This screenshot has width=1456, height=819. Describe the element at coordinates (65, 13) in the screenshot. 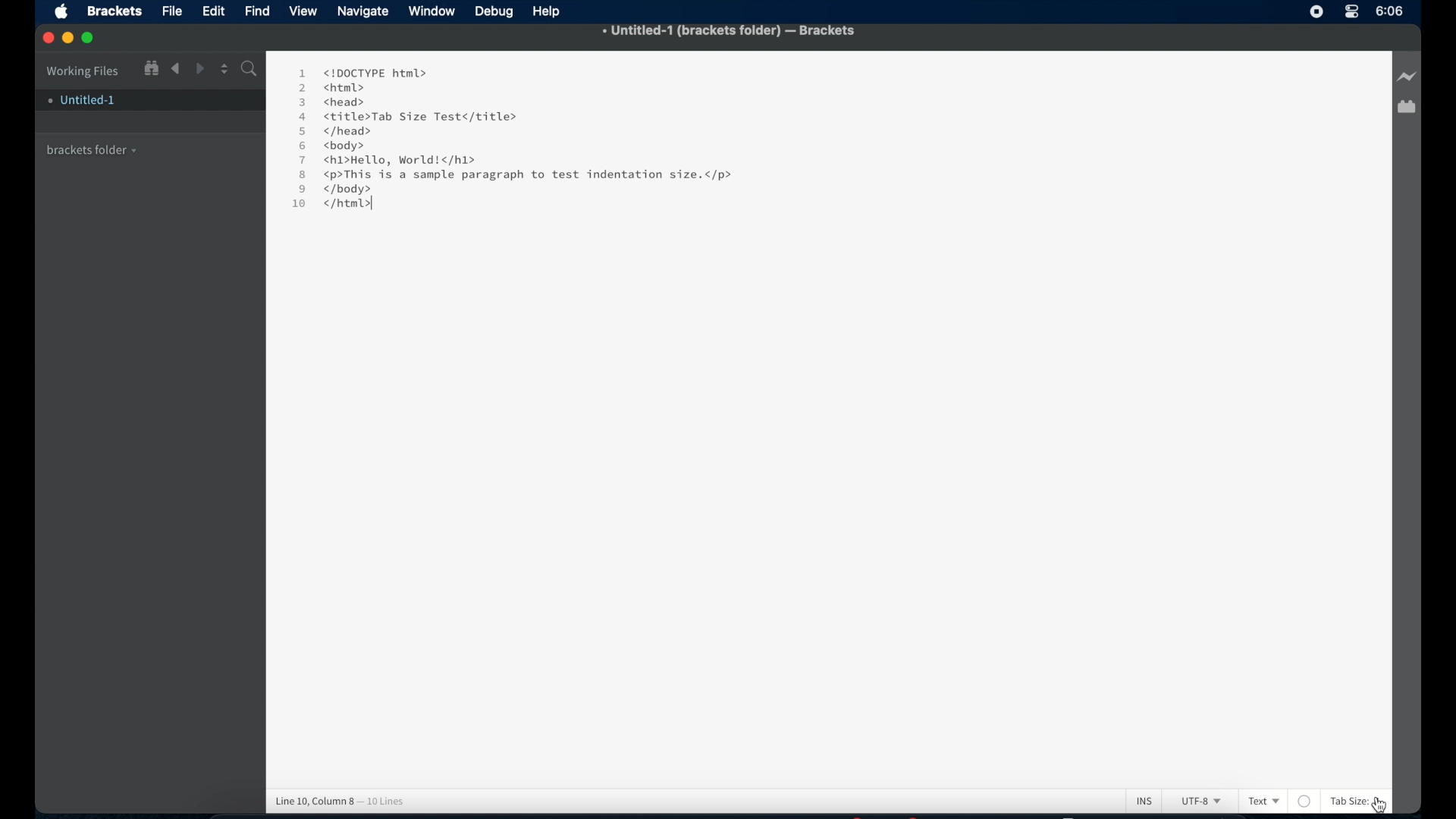

I see `Icon` at that location.